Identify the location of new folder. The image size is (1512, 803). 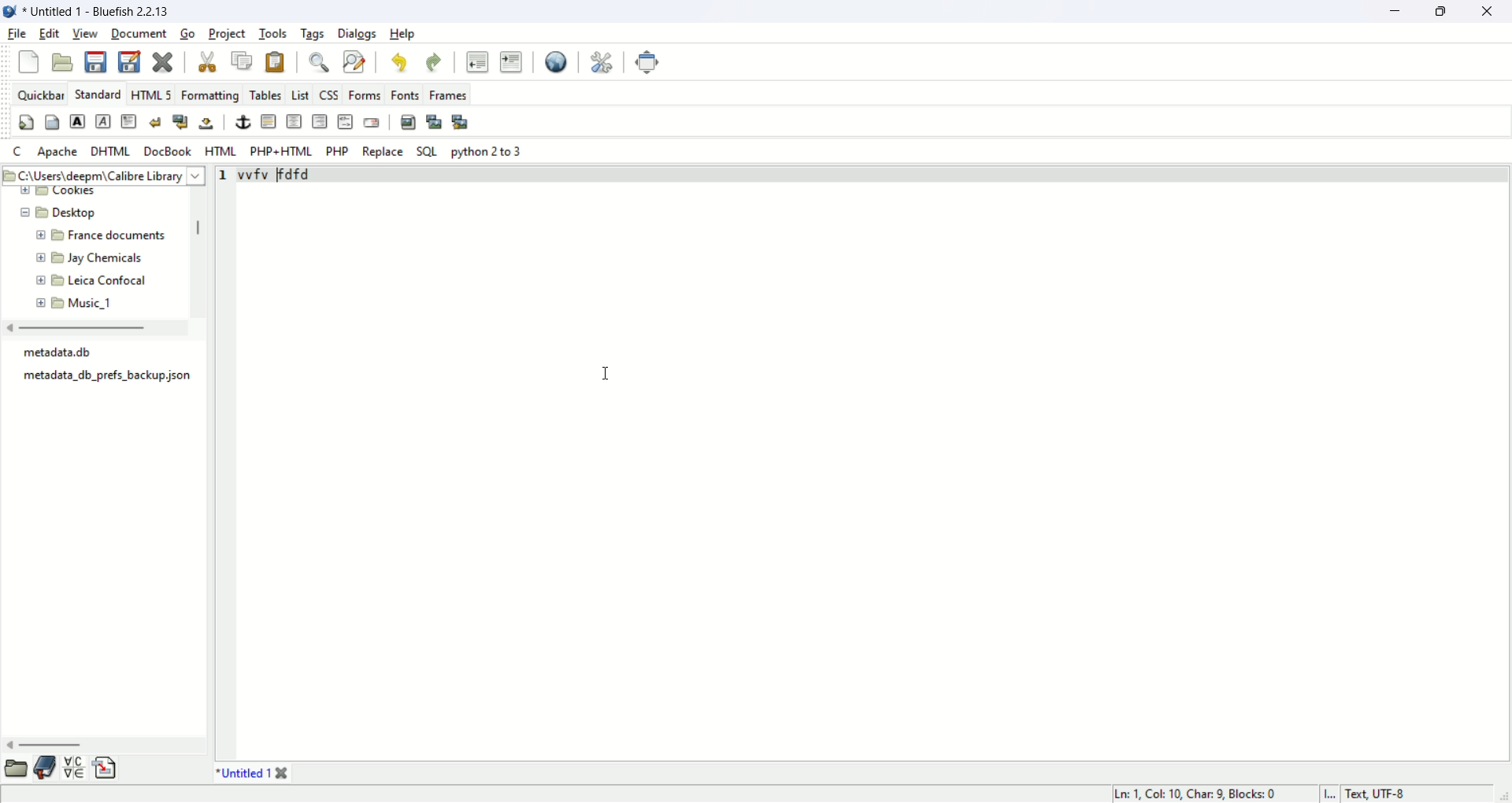
(61, 191).